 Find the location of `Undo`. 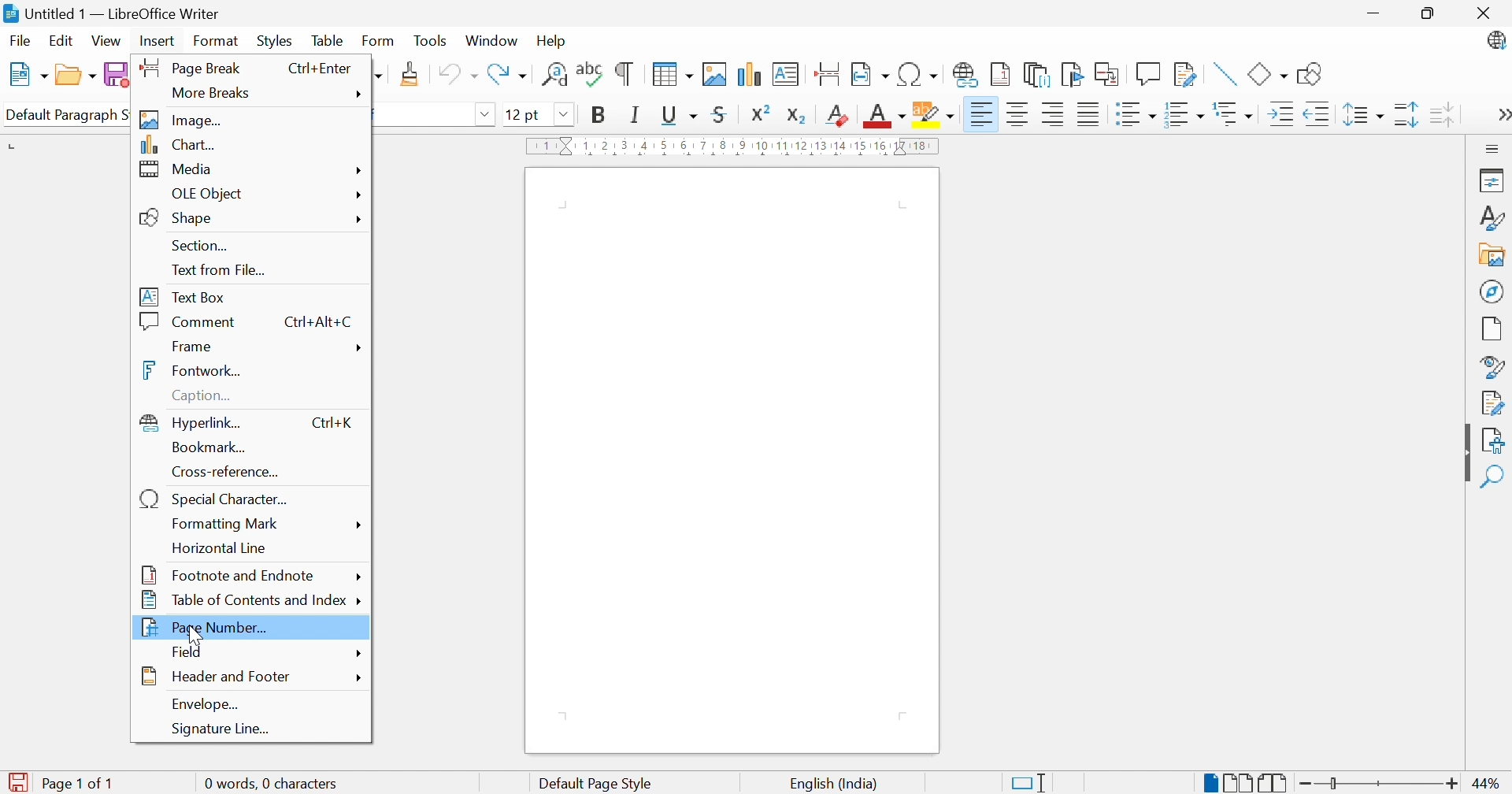

Undo is located at coordinates (458, 75).